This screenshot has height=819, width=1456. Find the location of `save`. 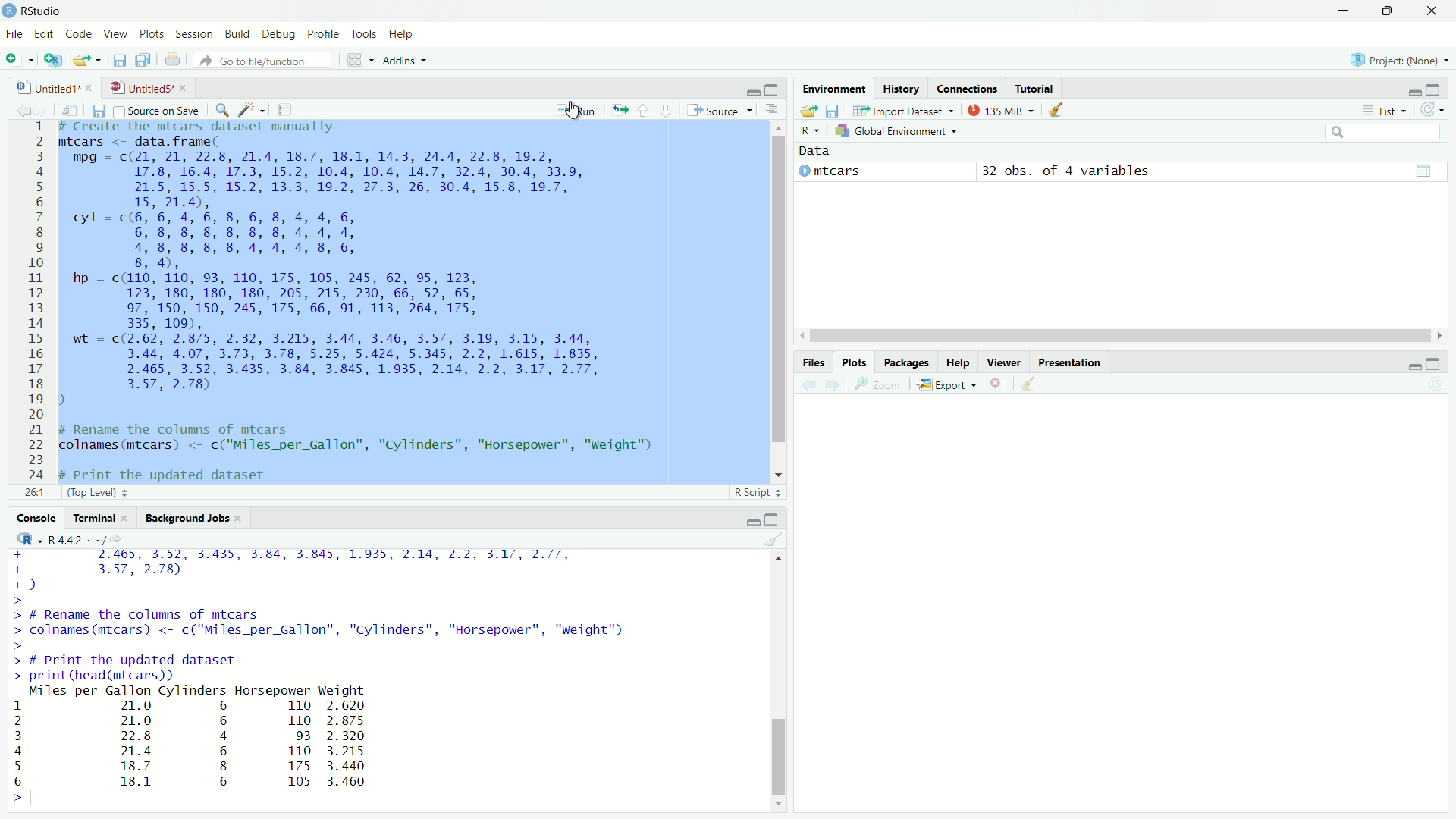

save is located at coordinates (833, 111).